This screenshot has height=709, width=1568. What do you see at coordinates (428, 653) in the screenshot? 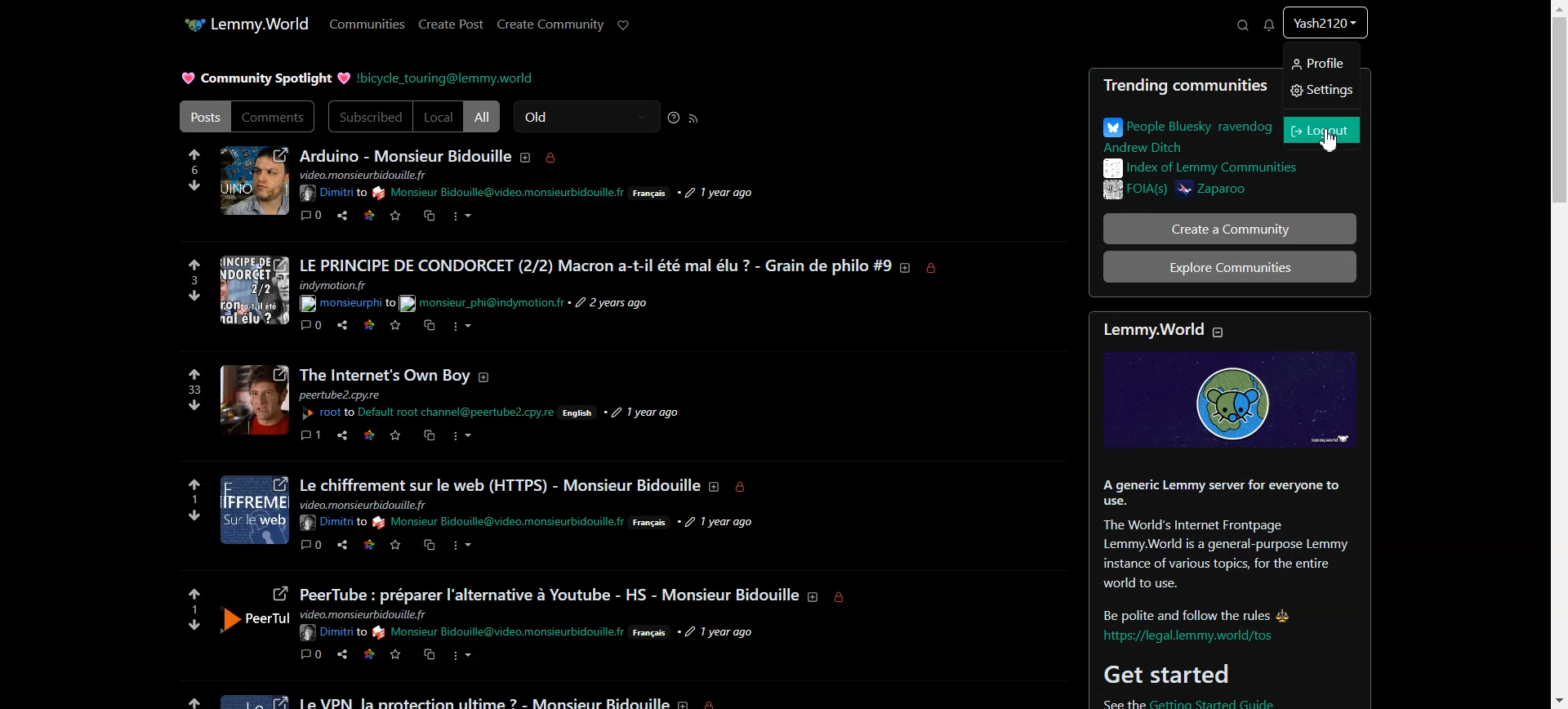
I see `copy` at bounding box center [428, 653].